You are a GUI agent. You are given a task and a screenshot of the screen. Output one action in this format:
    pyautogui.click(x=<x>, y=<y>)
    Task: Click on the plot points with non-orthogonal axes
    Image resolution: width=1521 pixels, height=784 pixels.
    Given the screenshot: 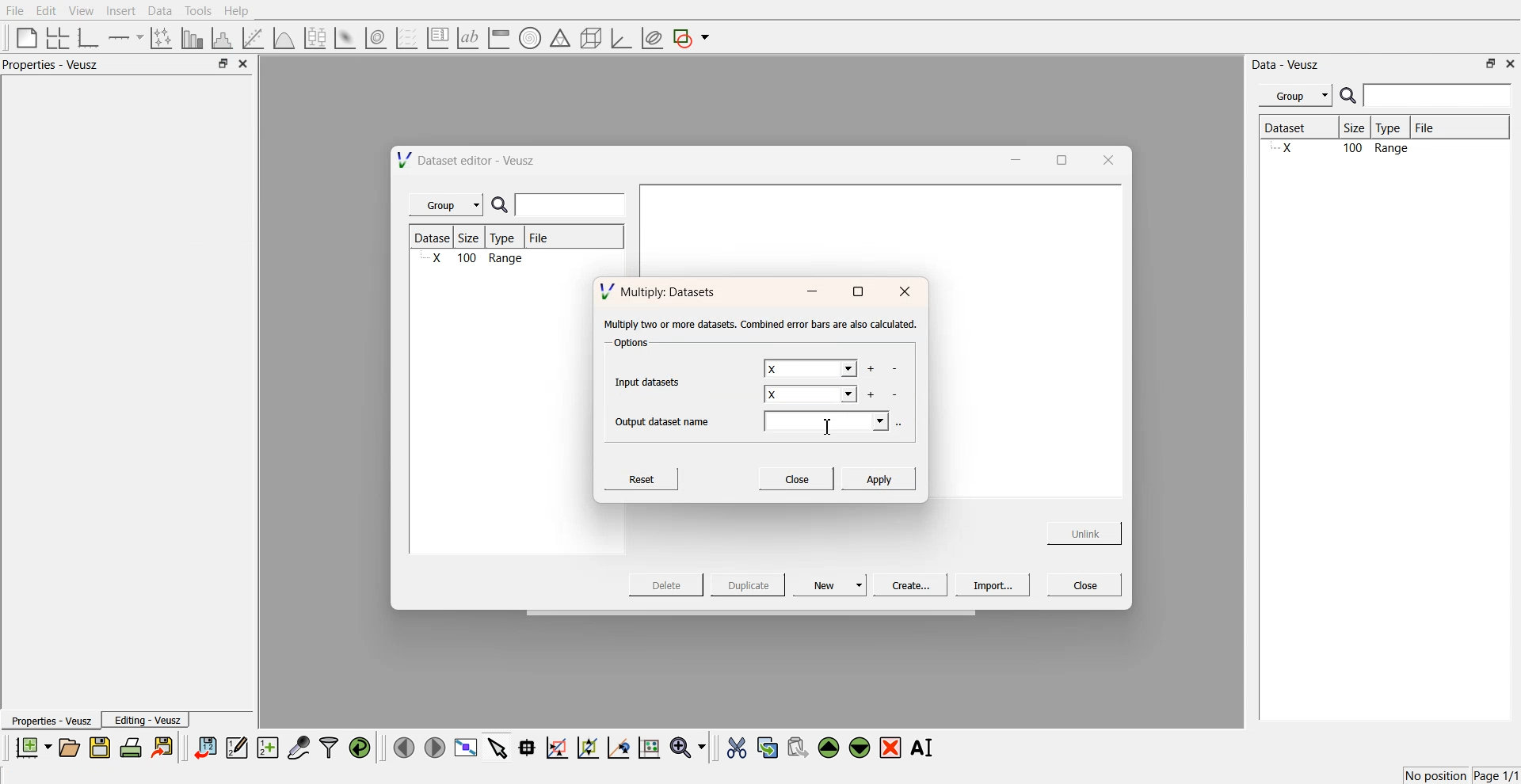 What is the action you would take?
    pyautogui.click(x=160, y=37)
    